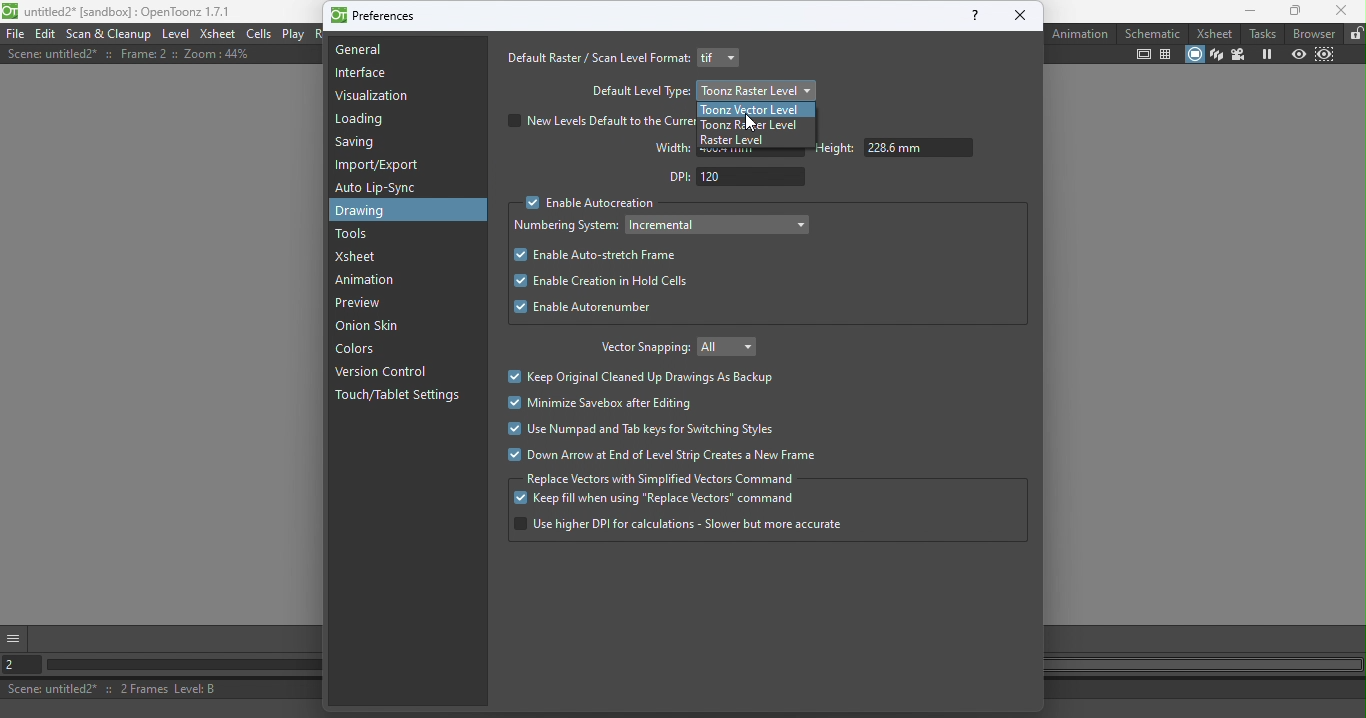 This screenshot has width=1366, height=718. What do you see at coordinates (720, 224) in the screenshot?
I see `Drop down menu` at bounding box center [720, 224].